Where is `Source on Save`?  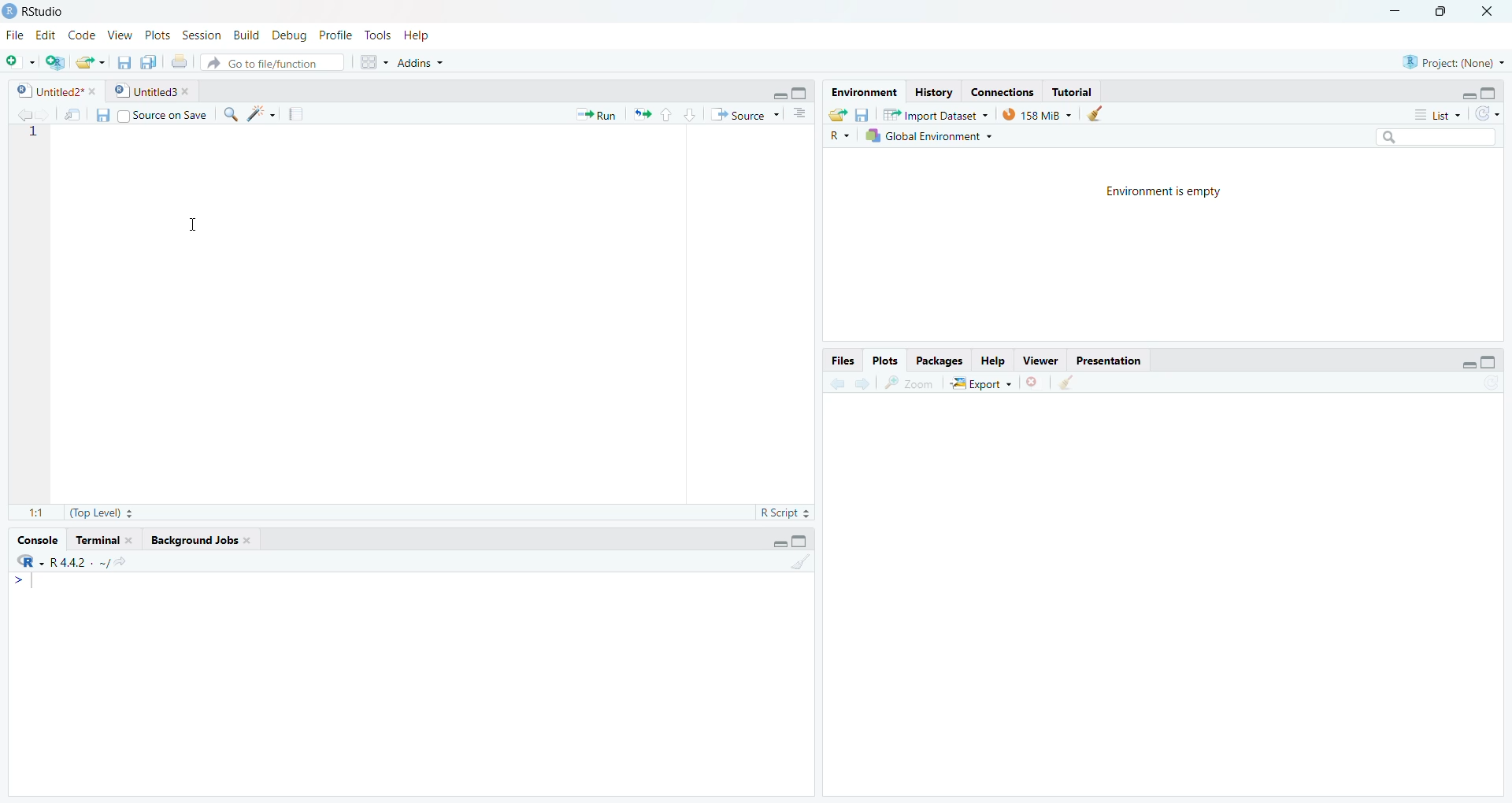 Source on Save is located at coordinates (166, 114).